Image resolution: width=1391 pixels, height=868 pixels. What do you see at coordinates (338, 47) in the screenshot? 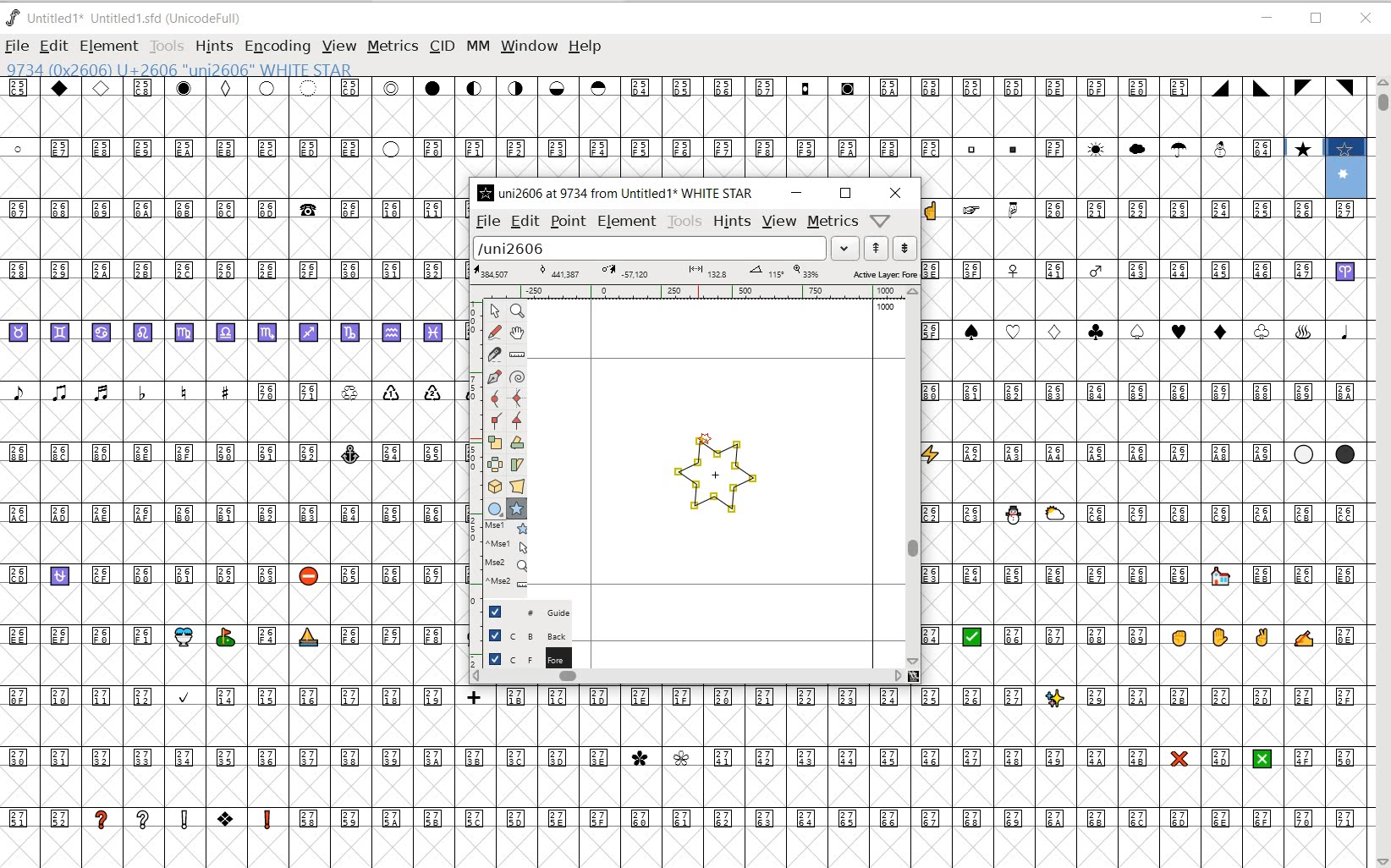
I see `VIEW` at bounding box center [338, 47].